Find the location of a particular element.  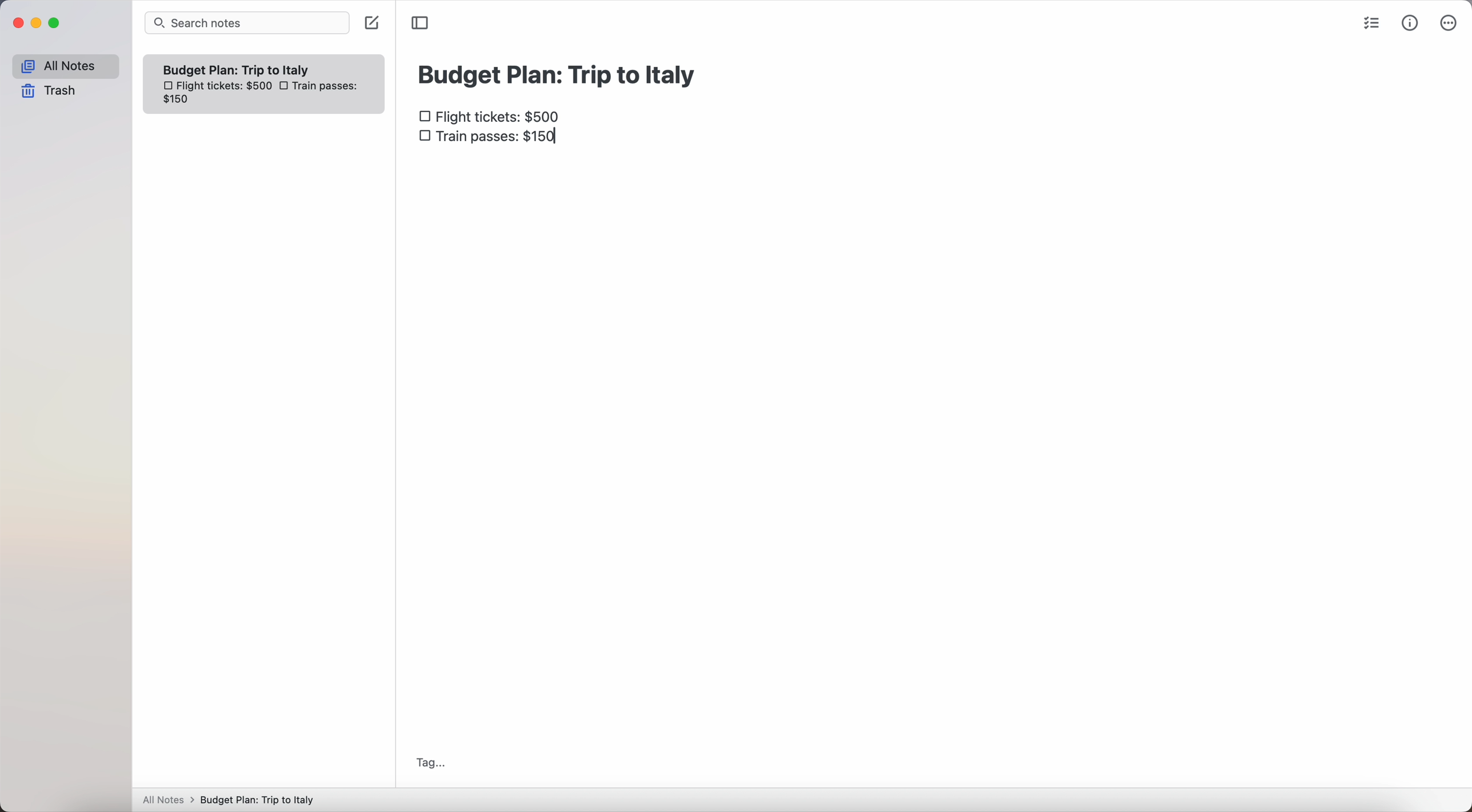

all notes is located at coordinates (65, 66).